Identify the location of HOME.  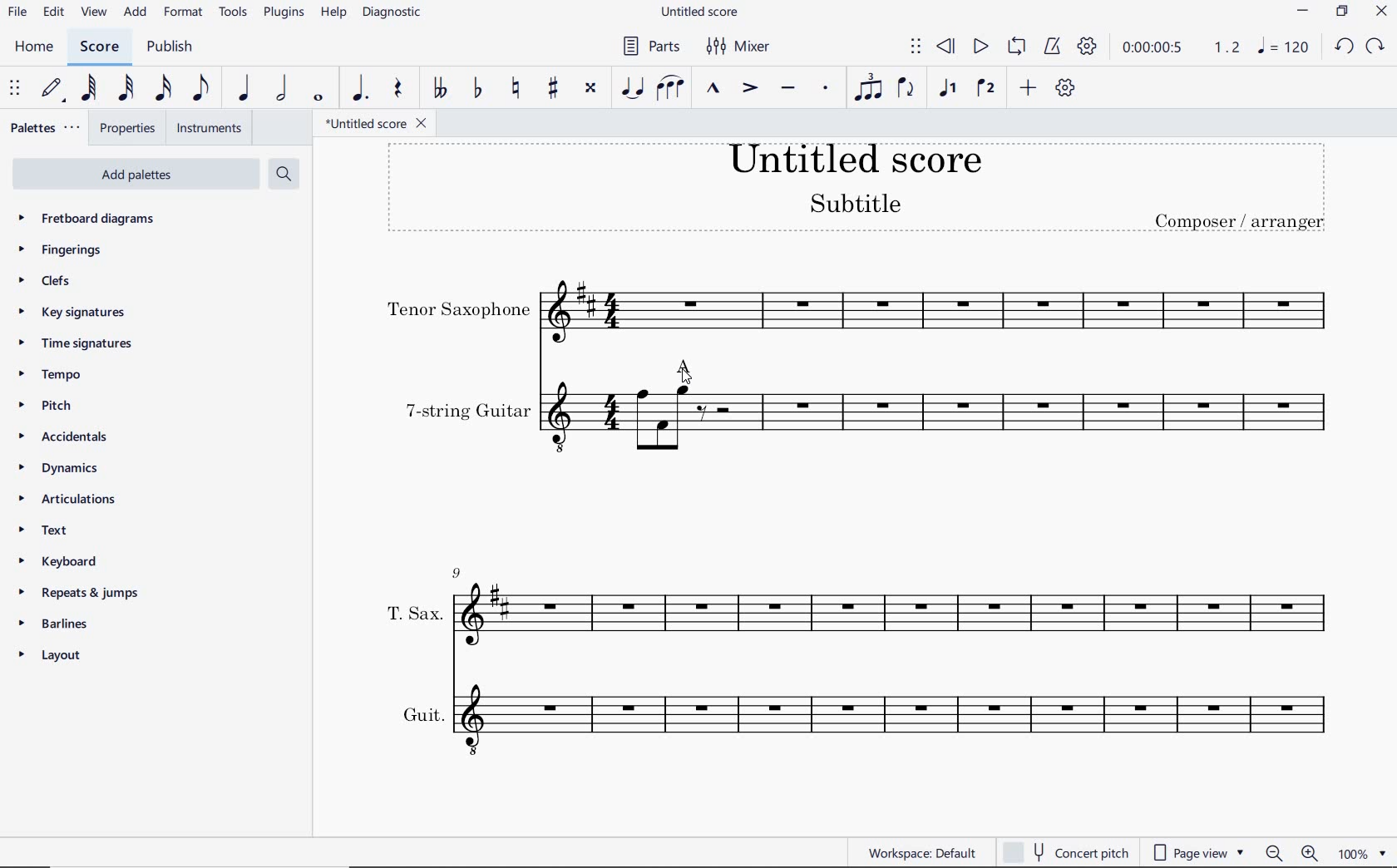
(35, 47).